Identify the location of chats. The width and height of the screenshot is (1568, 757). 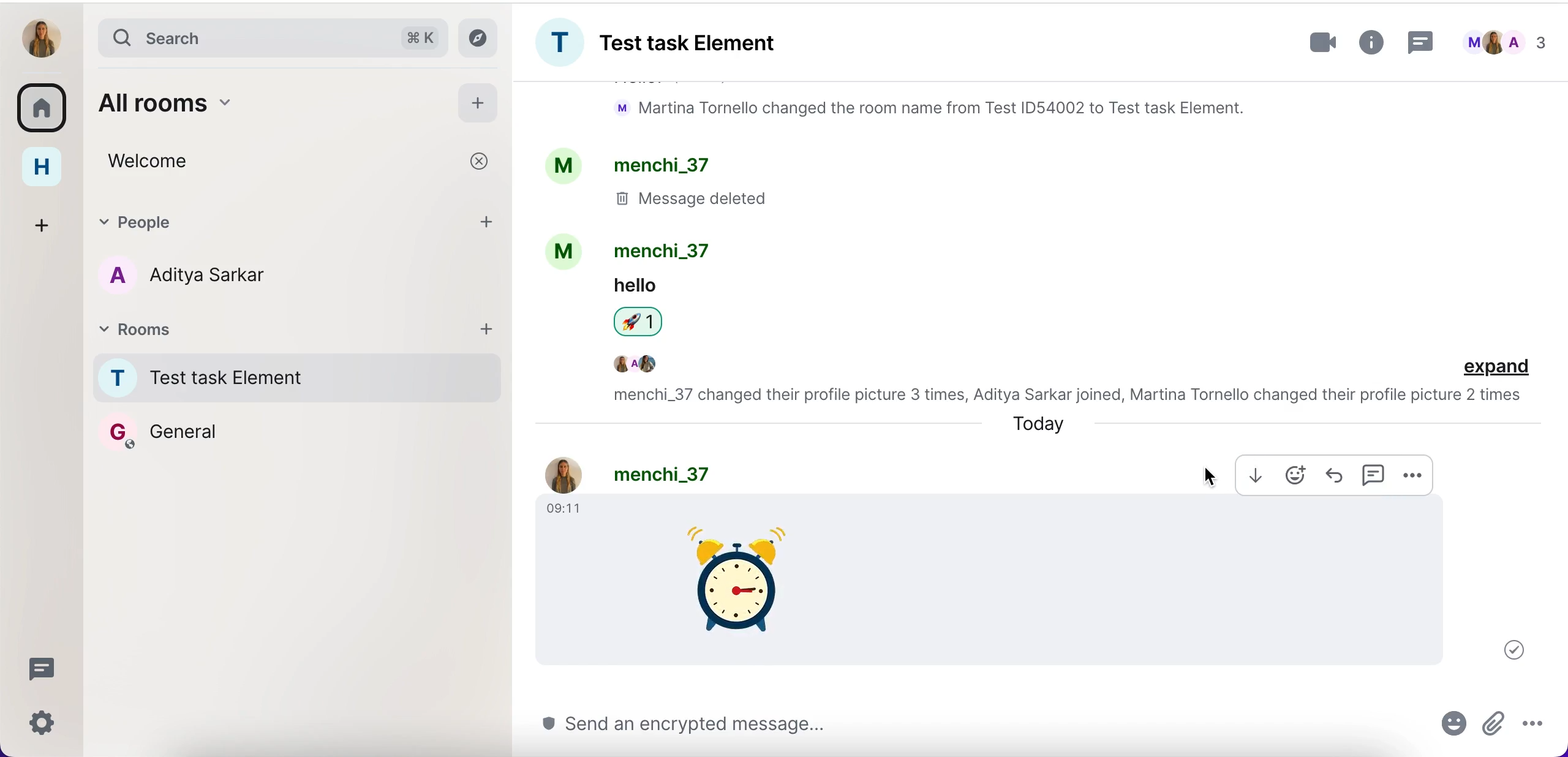
(1511, 40).